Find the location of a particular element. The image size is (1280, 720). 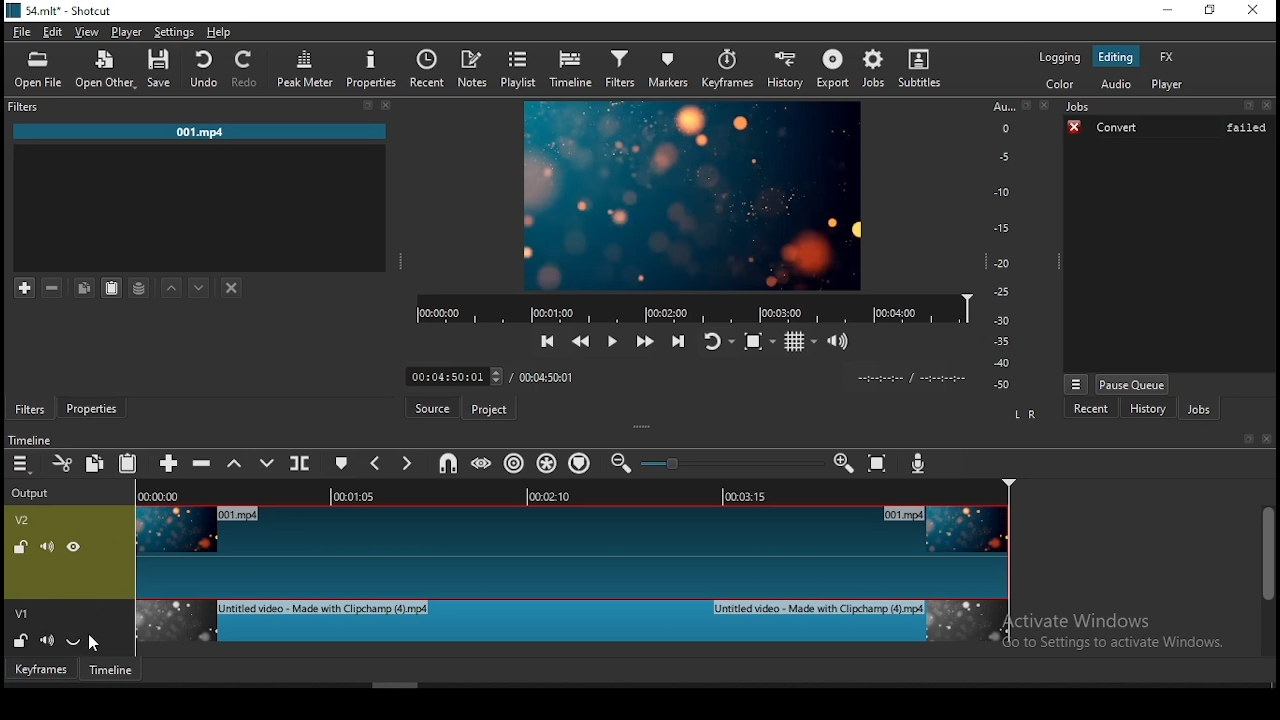

copy is located at coordinates (85, 286).